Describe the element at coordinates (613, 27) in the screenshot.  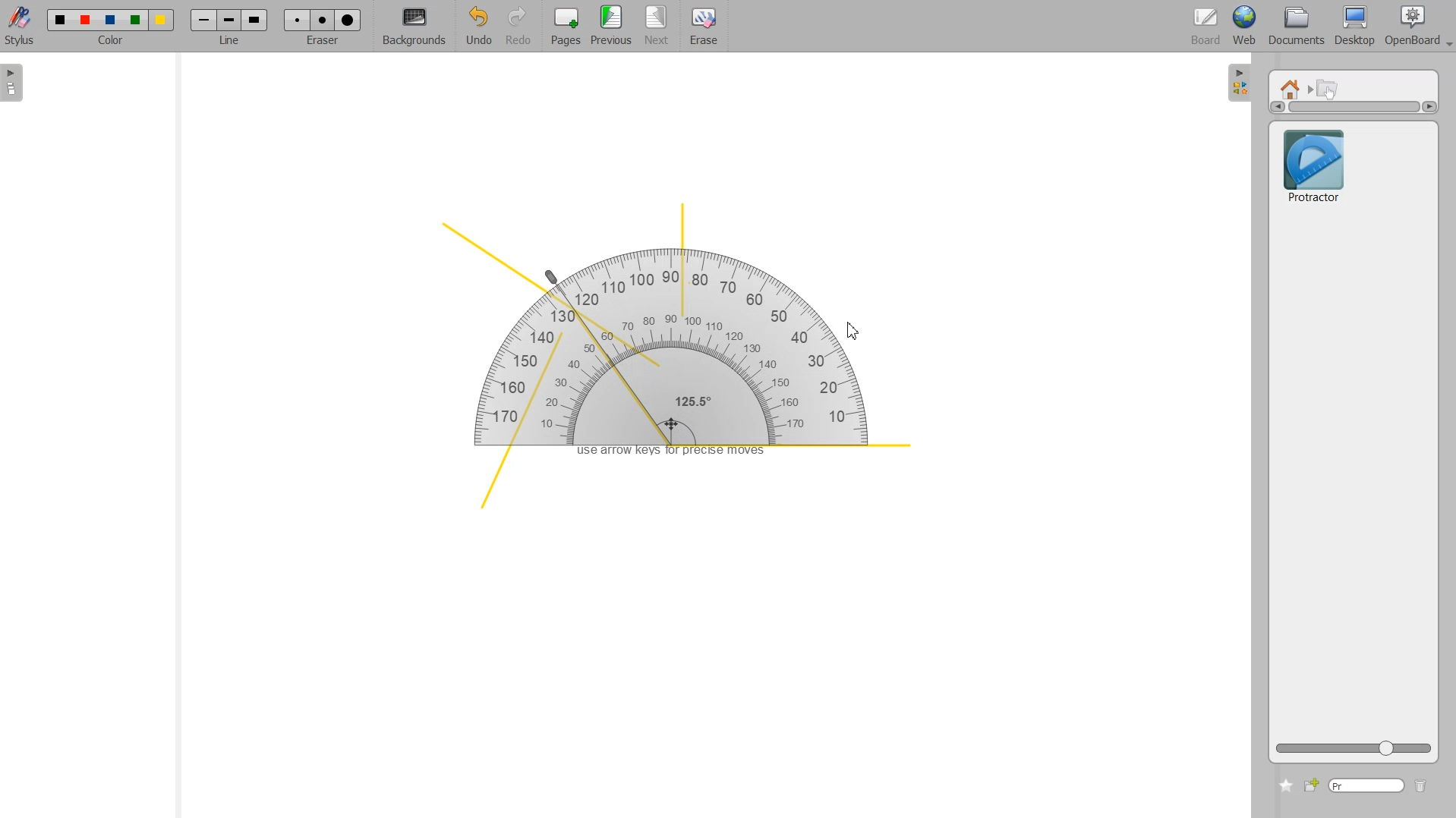
I see `Previous` at that location.